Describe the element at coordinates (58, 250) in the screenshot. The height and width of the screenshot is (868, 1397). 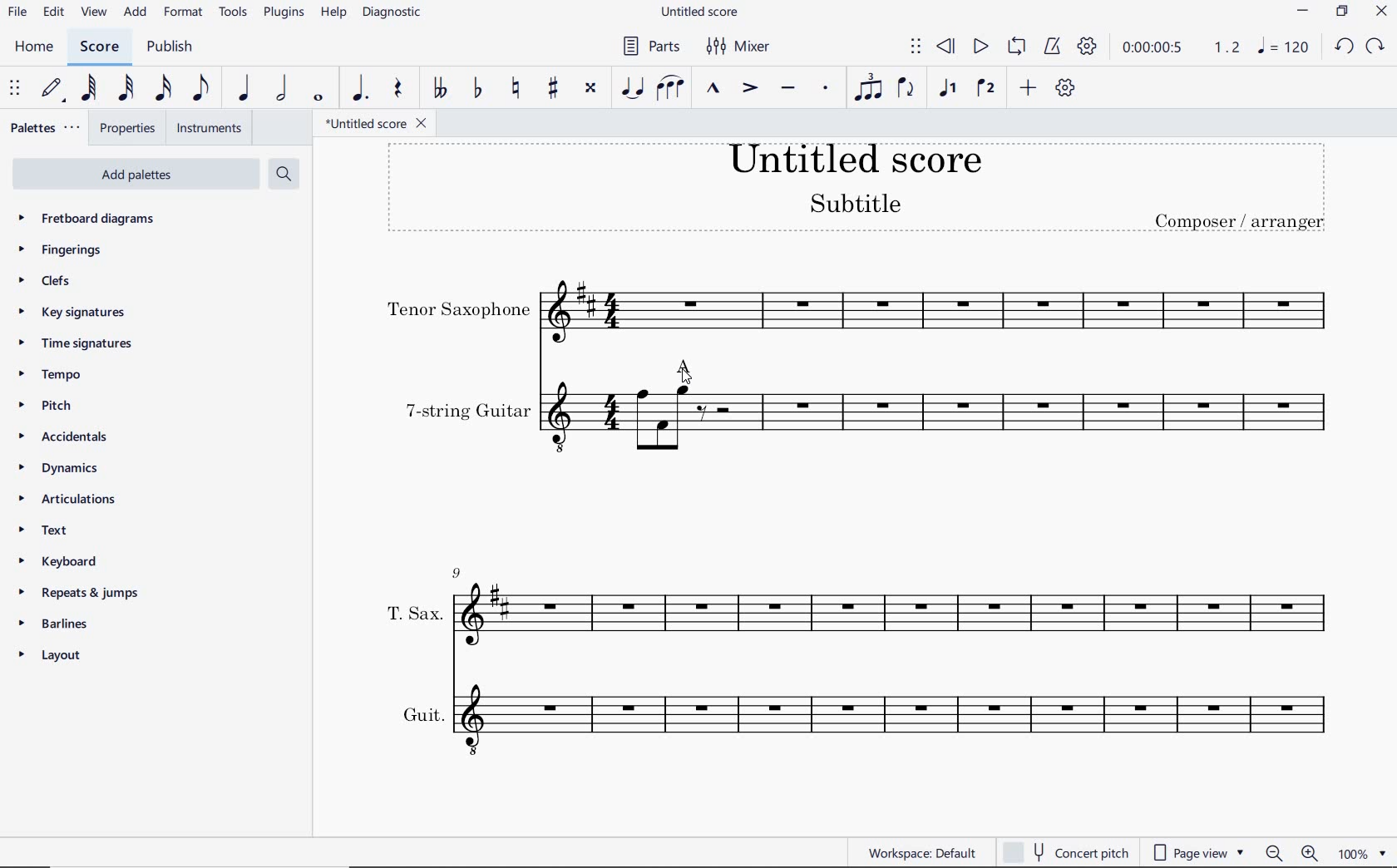
I see `FINGERINGS` at that location.